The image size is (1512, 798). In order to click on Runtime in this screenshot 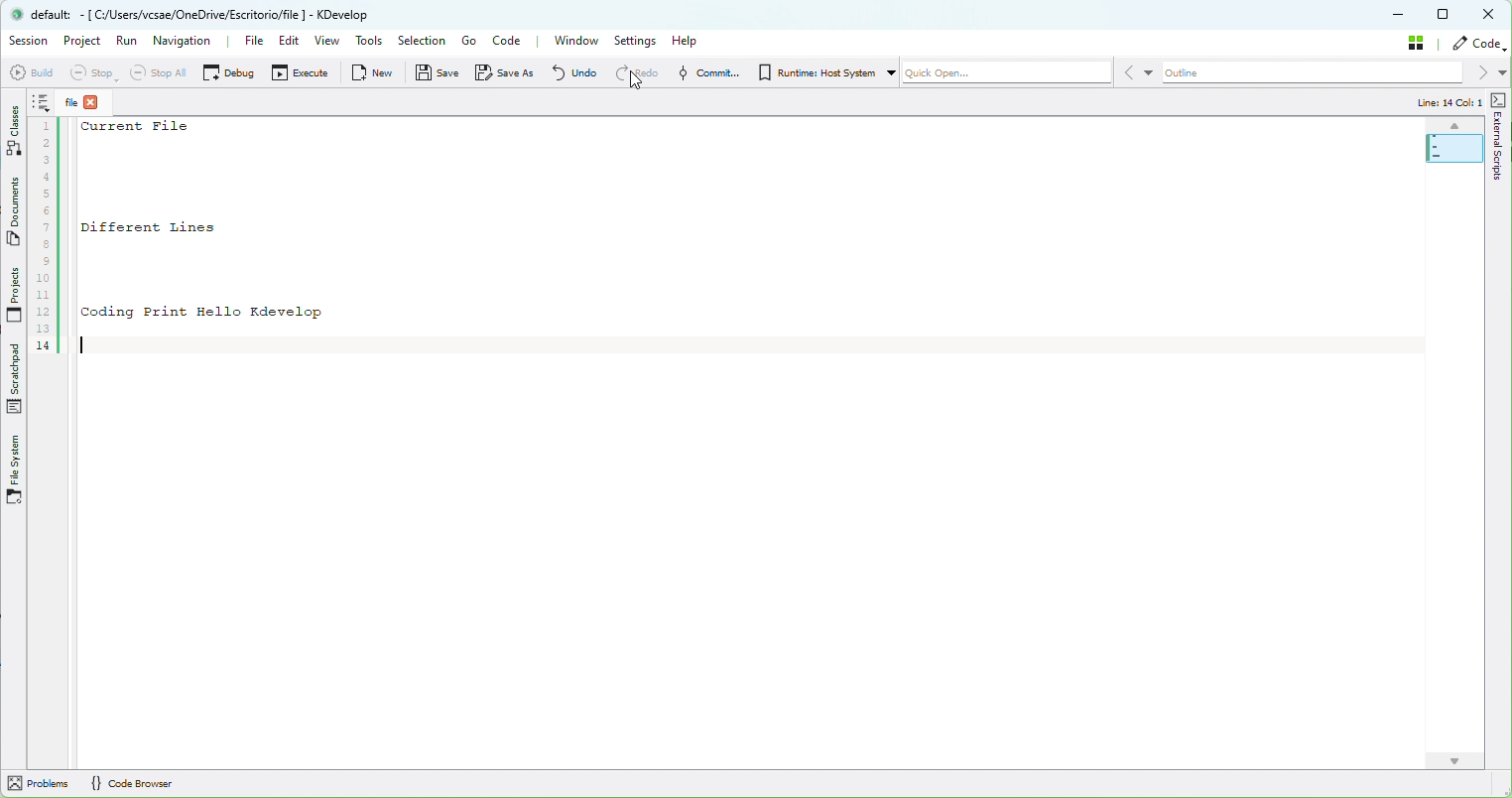, I will do `click(819, 73)`.